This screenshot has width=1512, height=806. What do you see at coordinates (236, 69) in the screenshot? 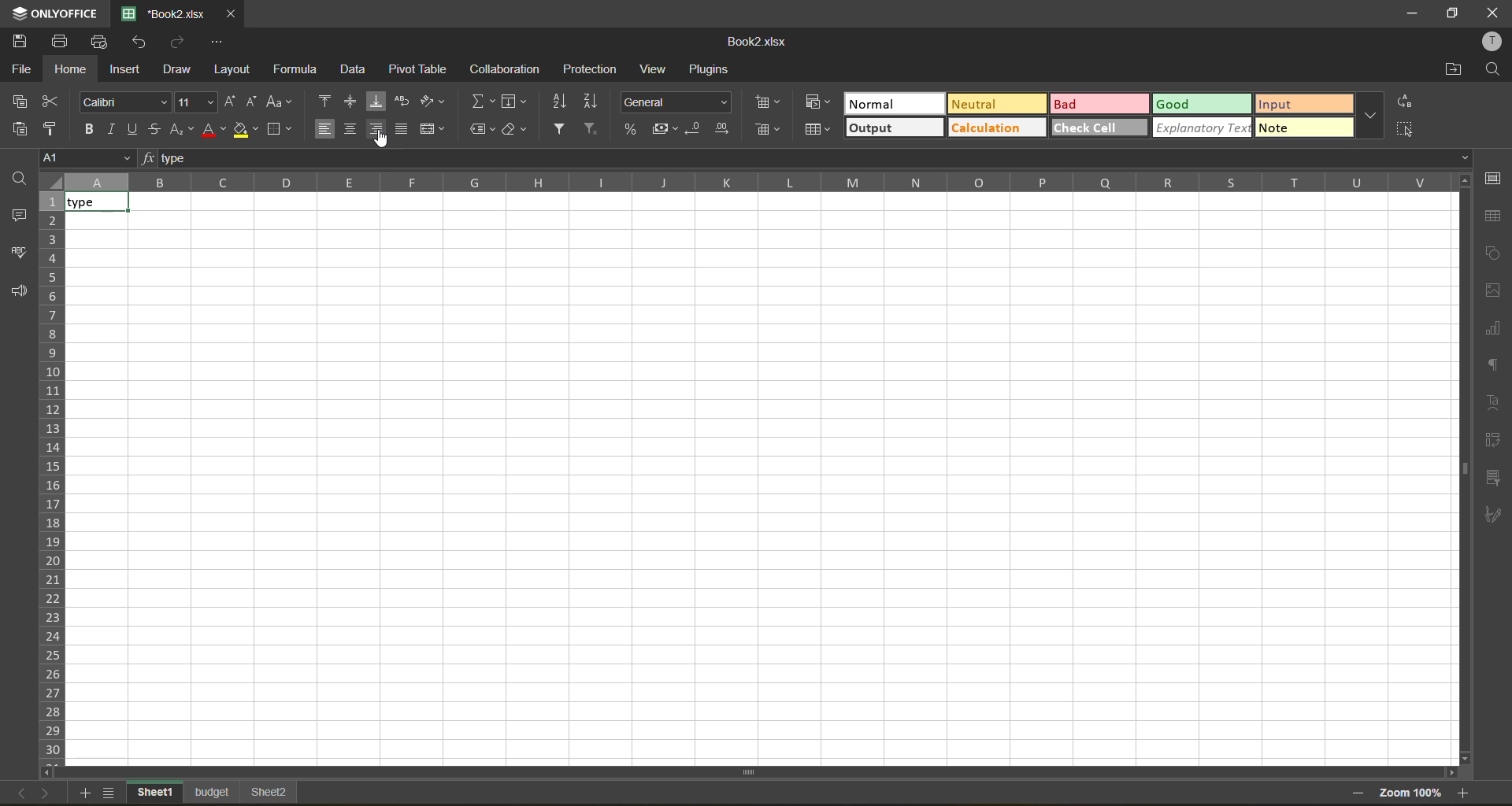
I see `layout` at bounding box center [236, 69].